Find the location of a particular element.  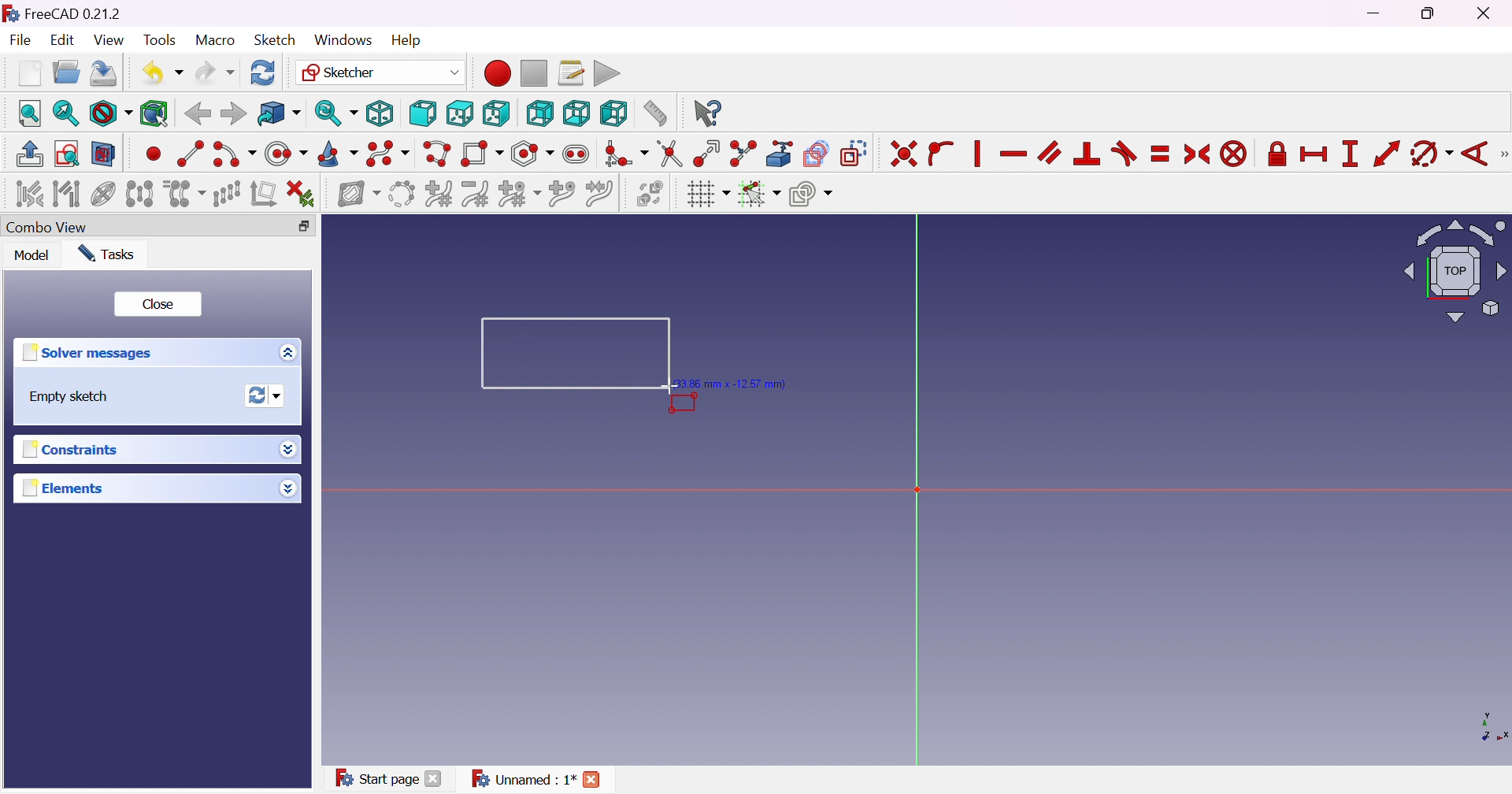

More options is located at coordinates (291, 449).